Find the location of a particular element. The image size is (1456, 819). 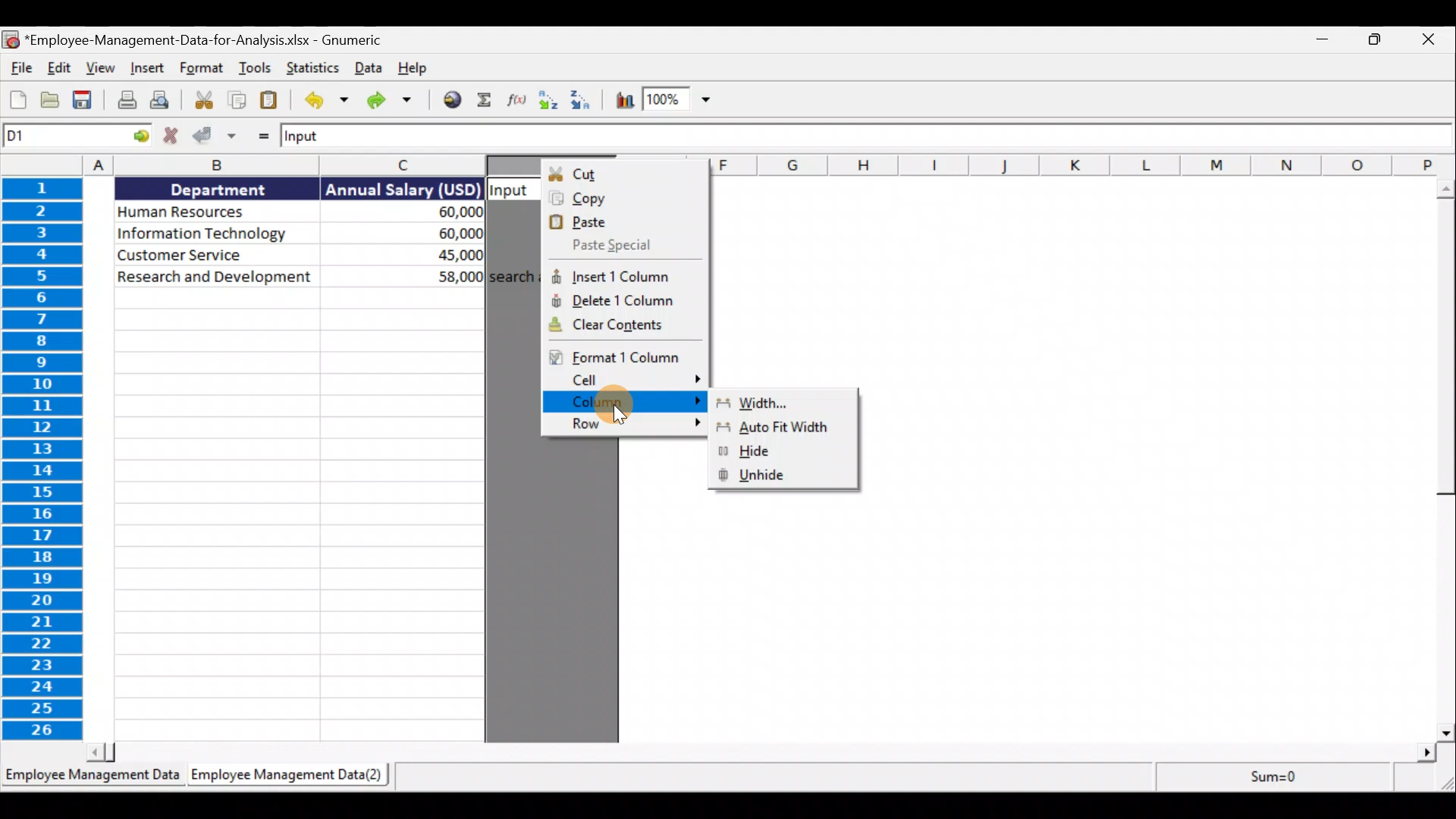

Edit a function in the current cell is located at coordinates (516, 102).